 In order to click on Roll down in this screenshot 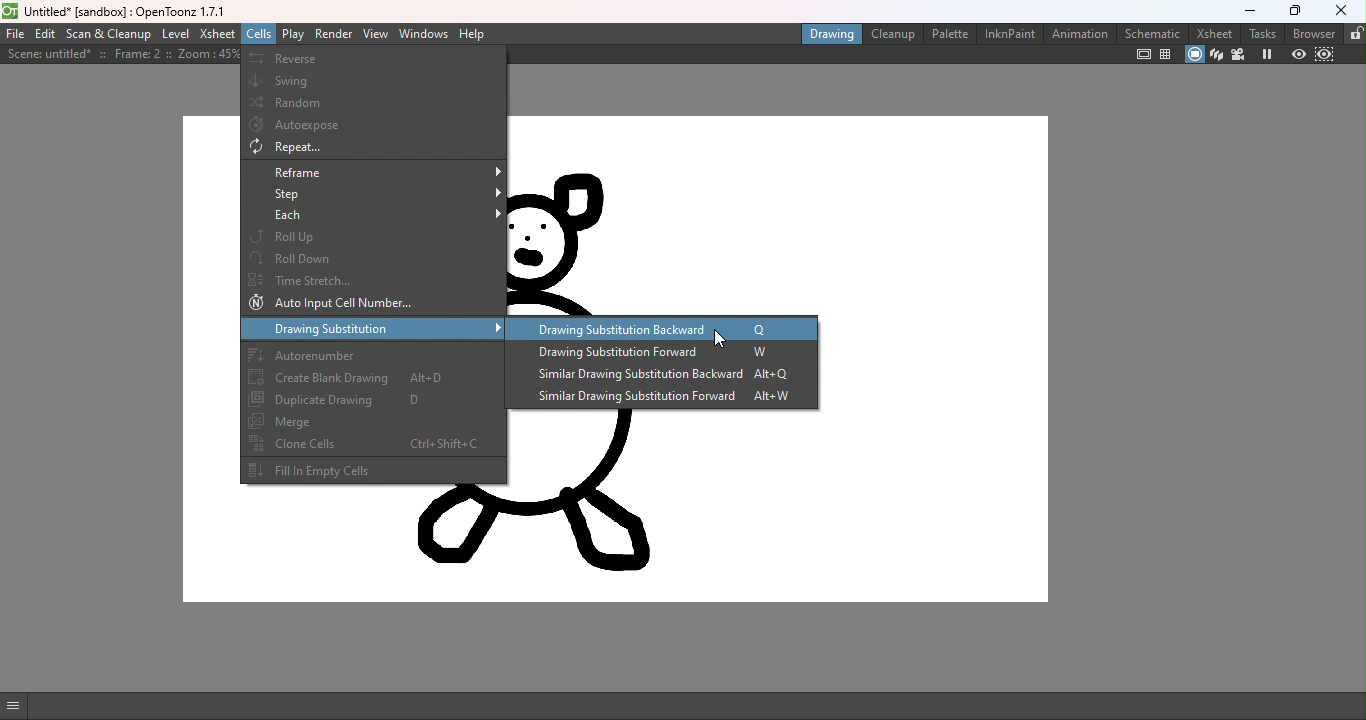, I will do `click(373, 257)`.